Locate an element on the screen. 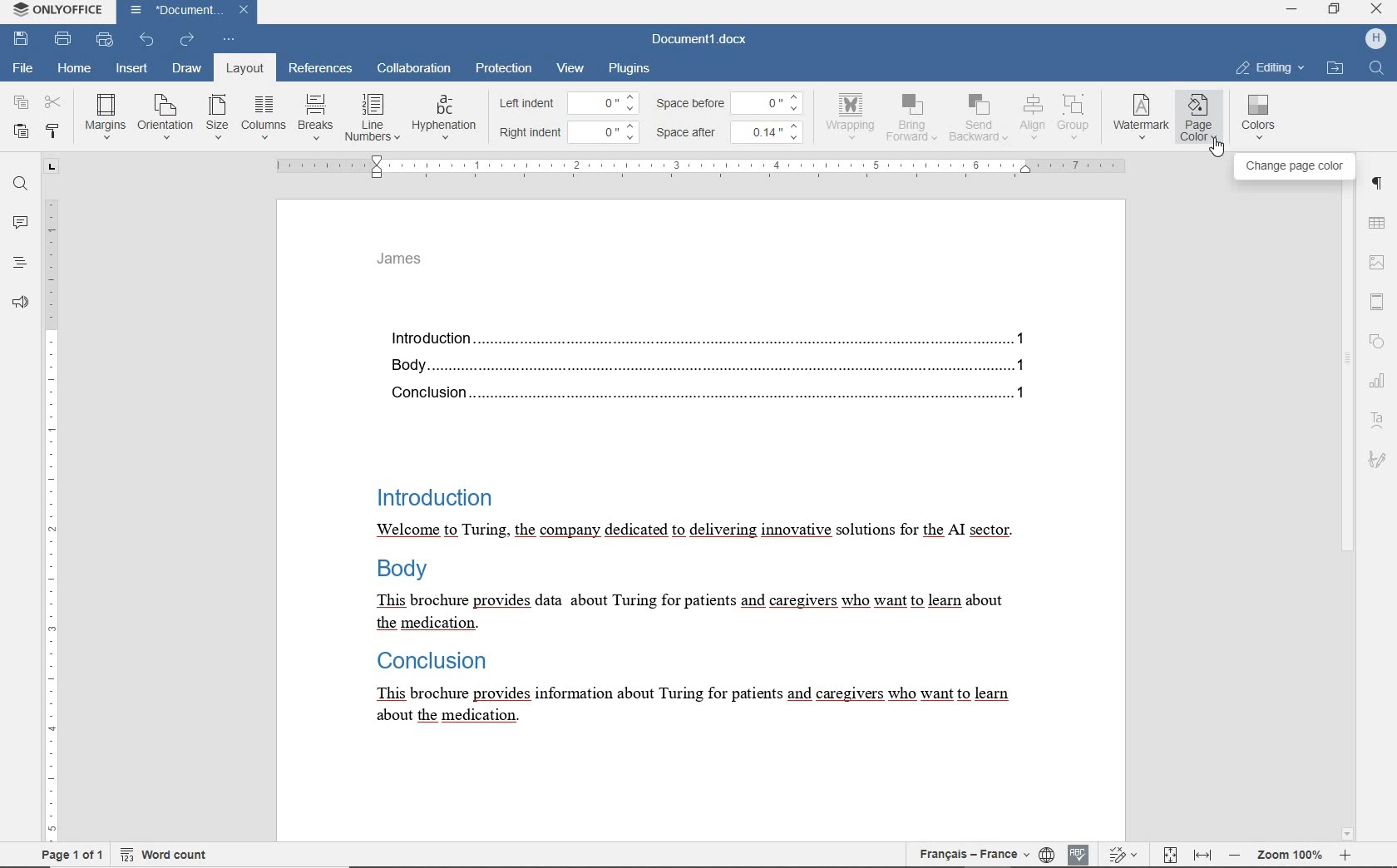  close is located at coordinates (251, 8).